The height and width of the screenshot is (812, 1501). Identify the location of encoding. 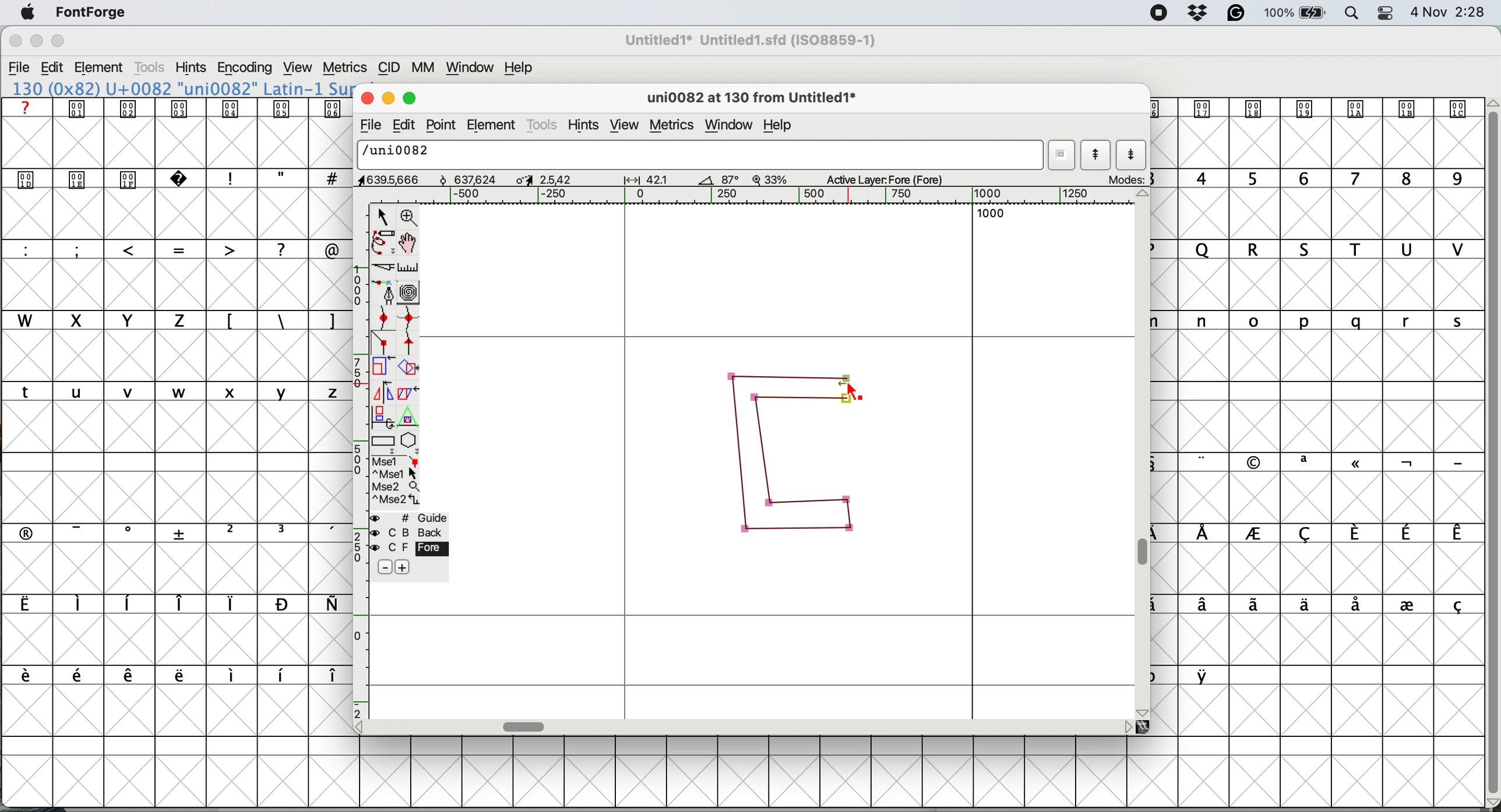
(246, 68).